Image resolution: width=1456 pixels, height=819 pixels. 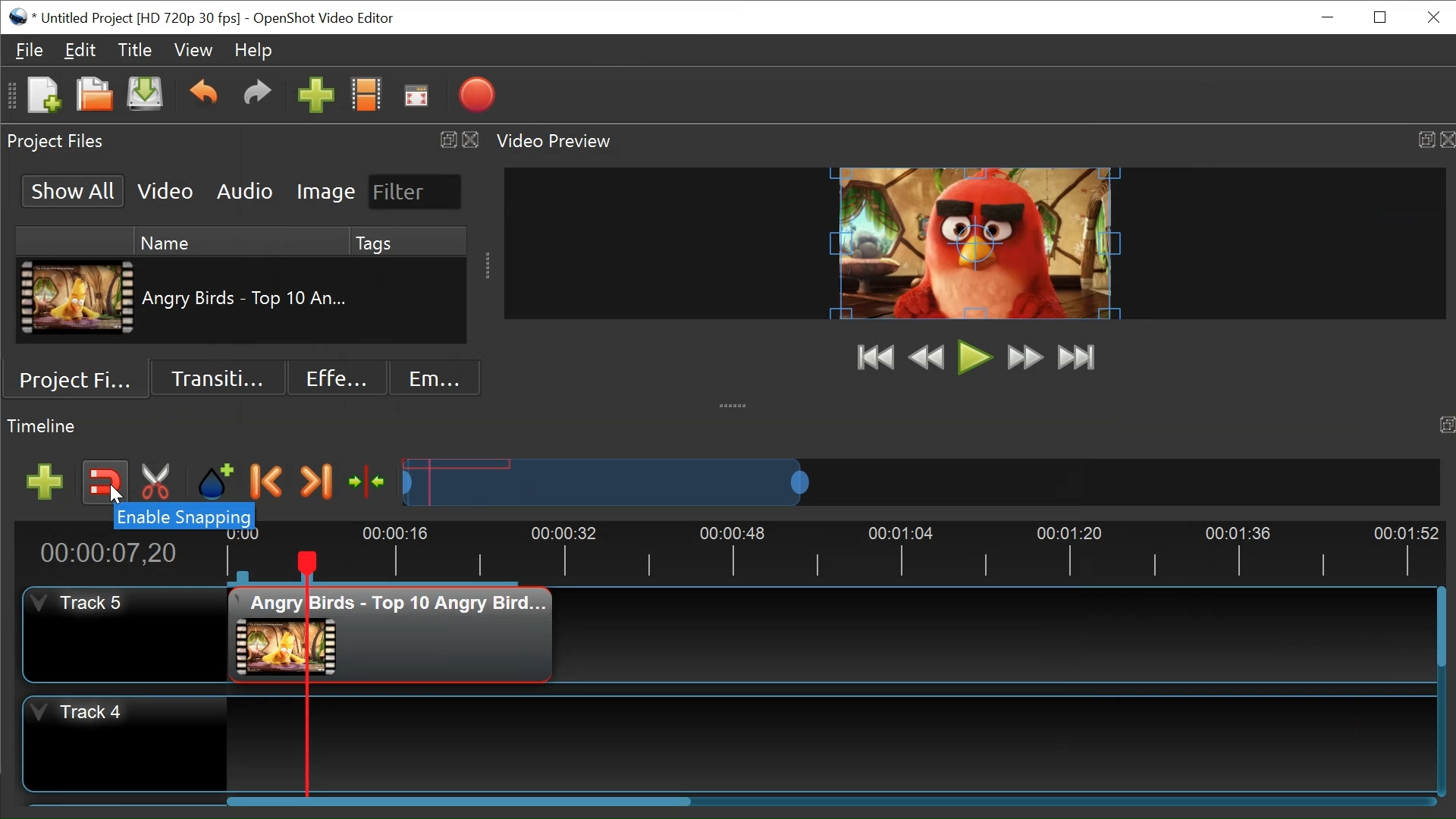 What do you see at coordinates (728, 426) in the screenshot?
I see `Timeline Panel` at bounding box center [728, 426].